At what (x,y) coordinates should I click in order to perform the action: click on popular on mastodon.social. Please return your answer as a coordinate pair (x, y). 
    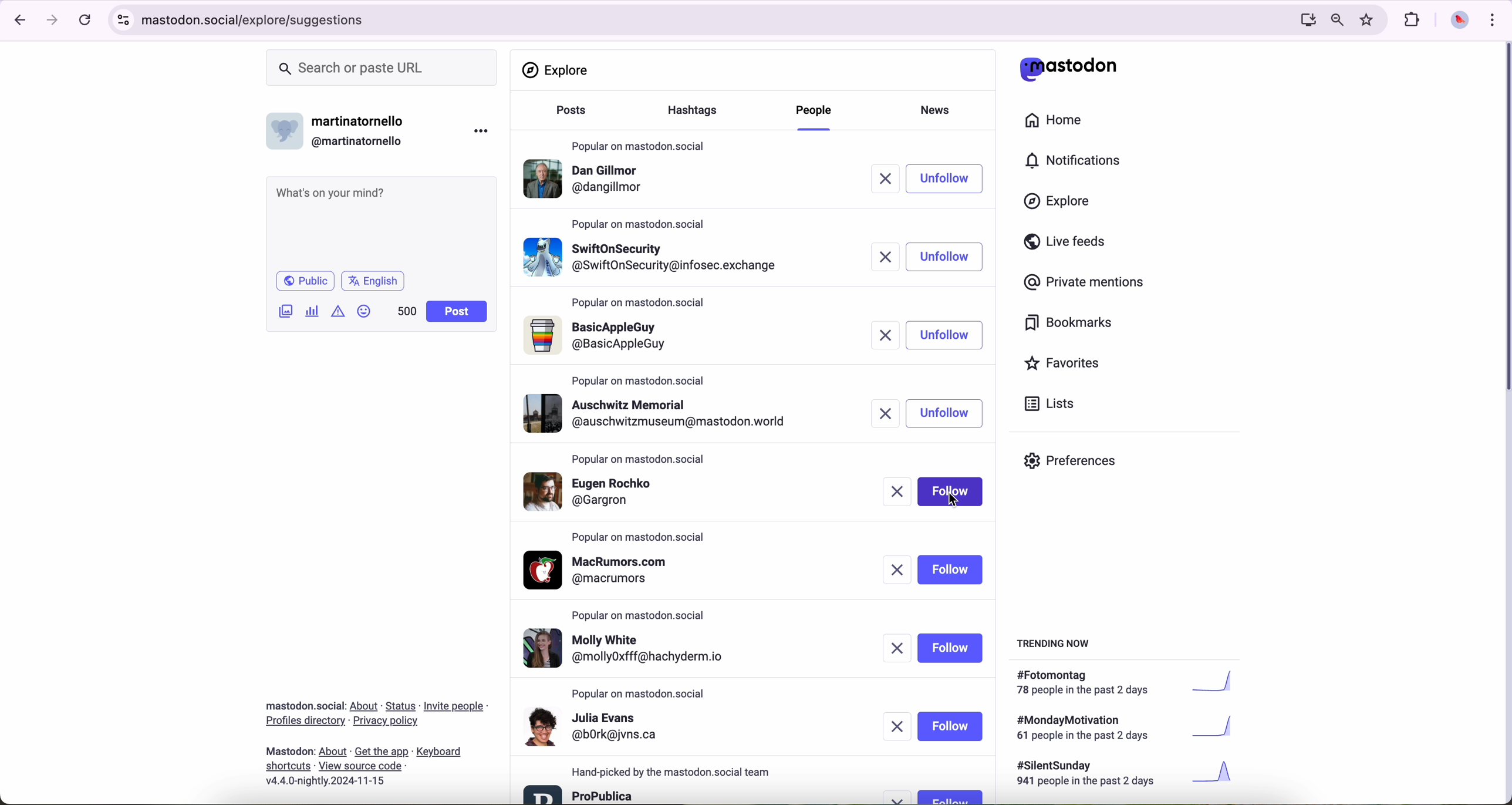
    Looking at the image, I should click on (637, 457).